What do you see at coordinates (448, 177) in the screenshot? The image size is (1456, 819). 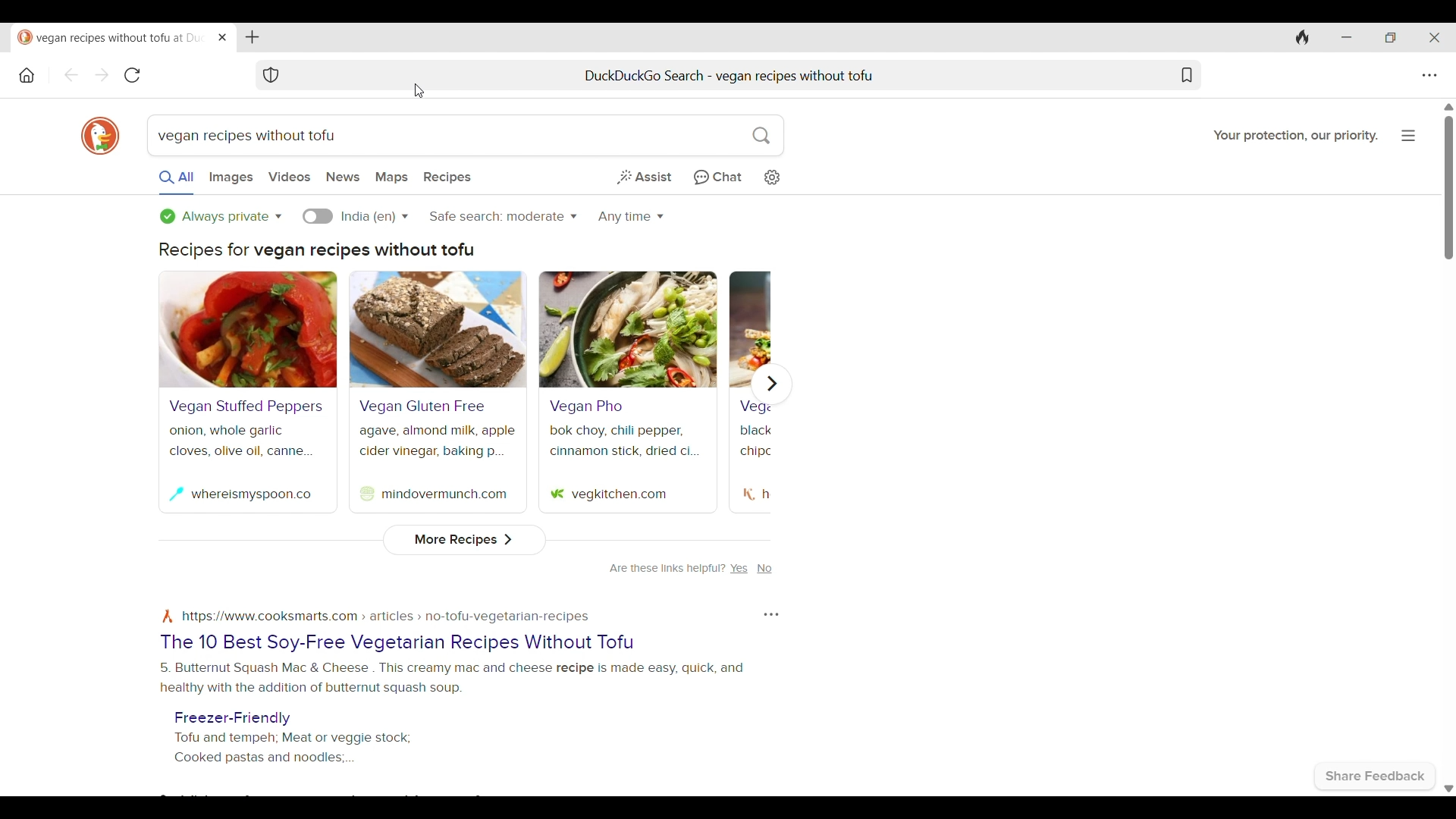 I see `Search recipes` at bounding box center [448, 177].